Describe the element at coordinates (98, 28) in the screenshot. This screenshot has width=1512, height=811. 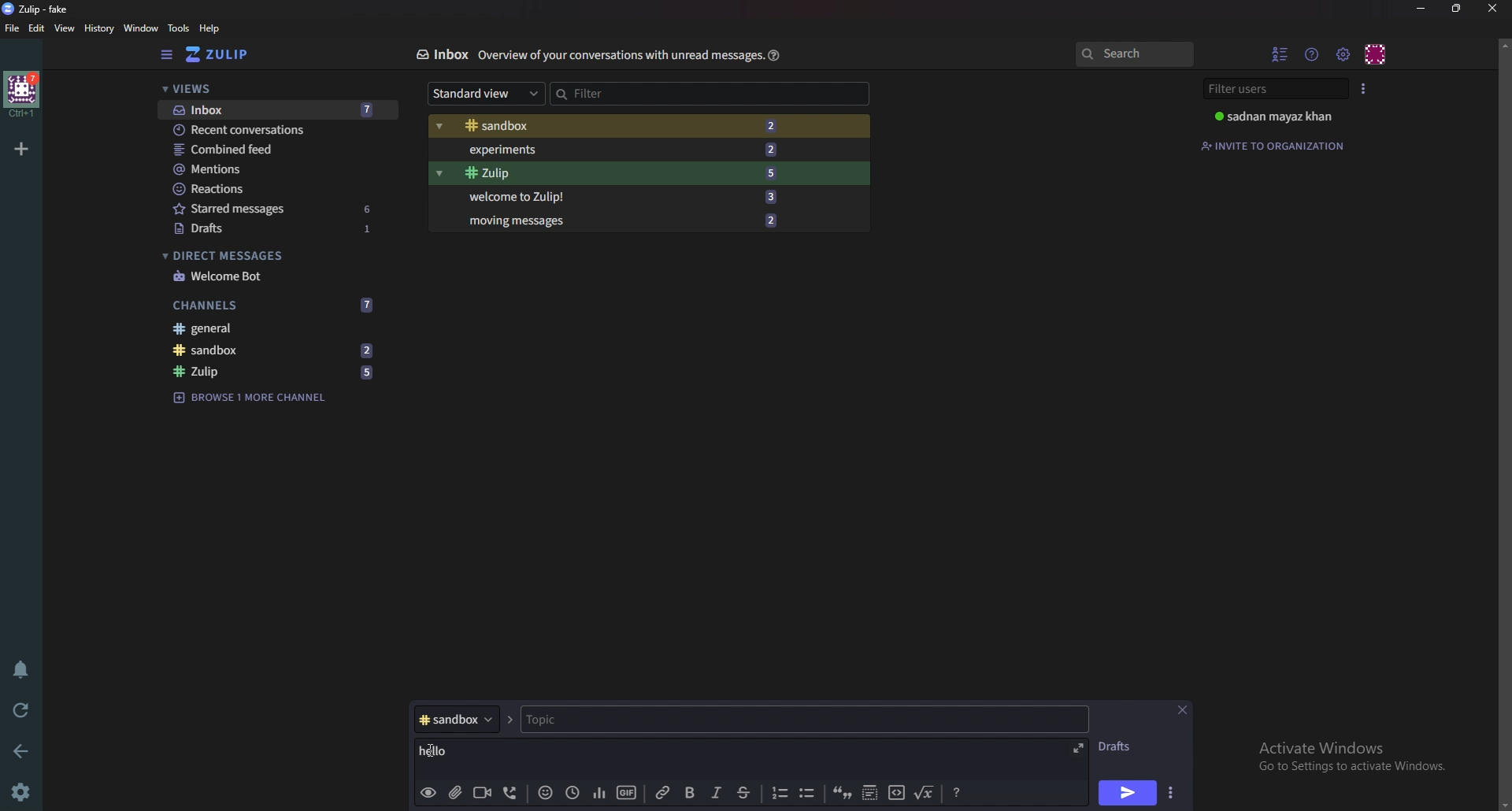
I see `History` at that location.